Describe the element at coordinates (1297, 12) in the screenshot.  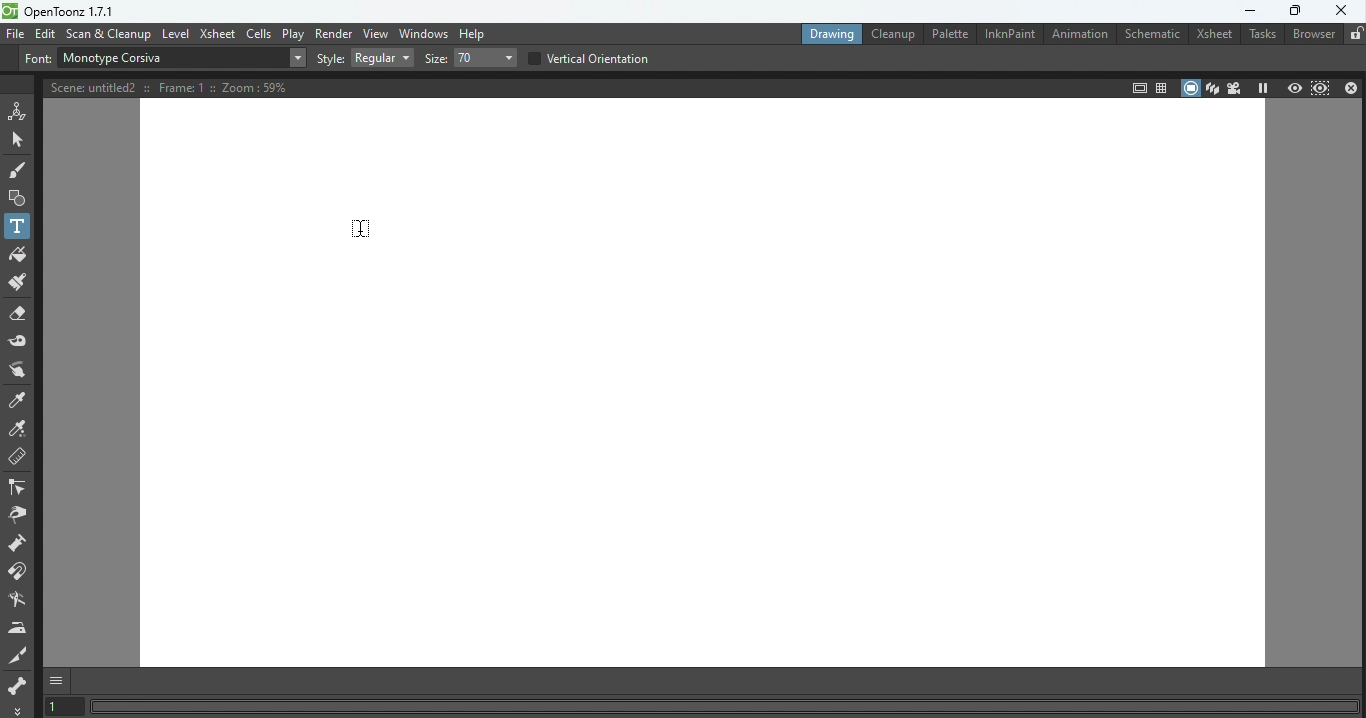
I see `Maximize` at that location.